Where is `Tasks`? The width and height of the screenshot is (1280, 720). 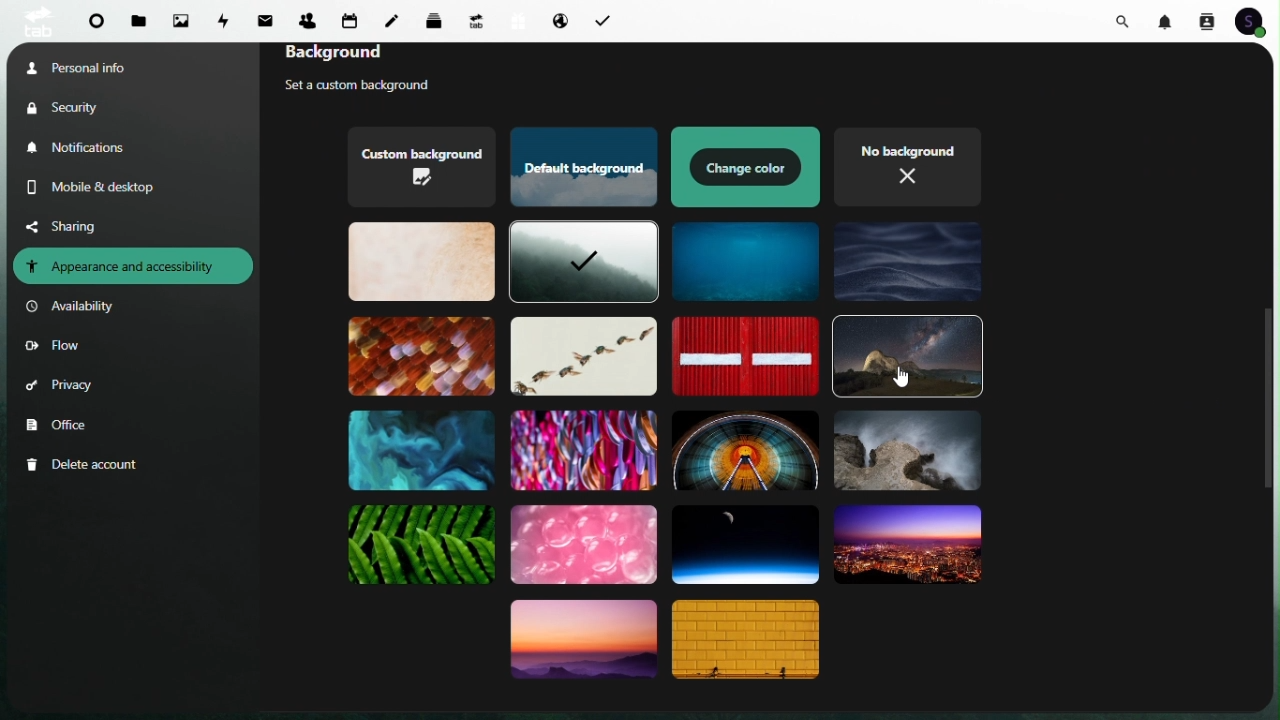
Tasks is located at coordinates (601, 19).